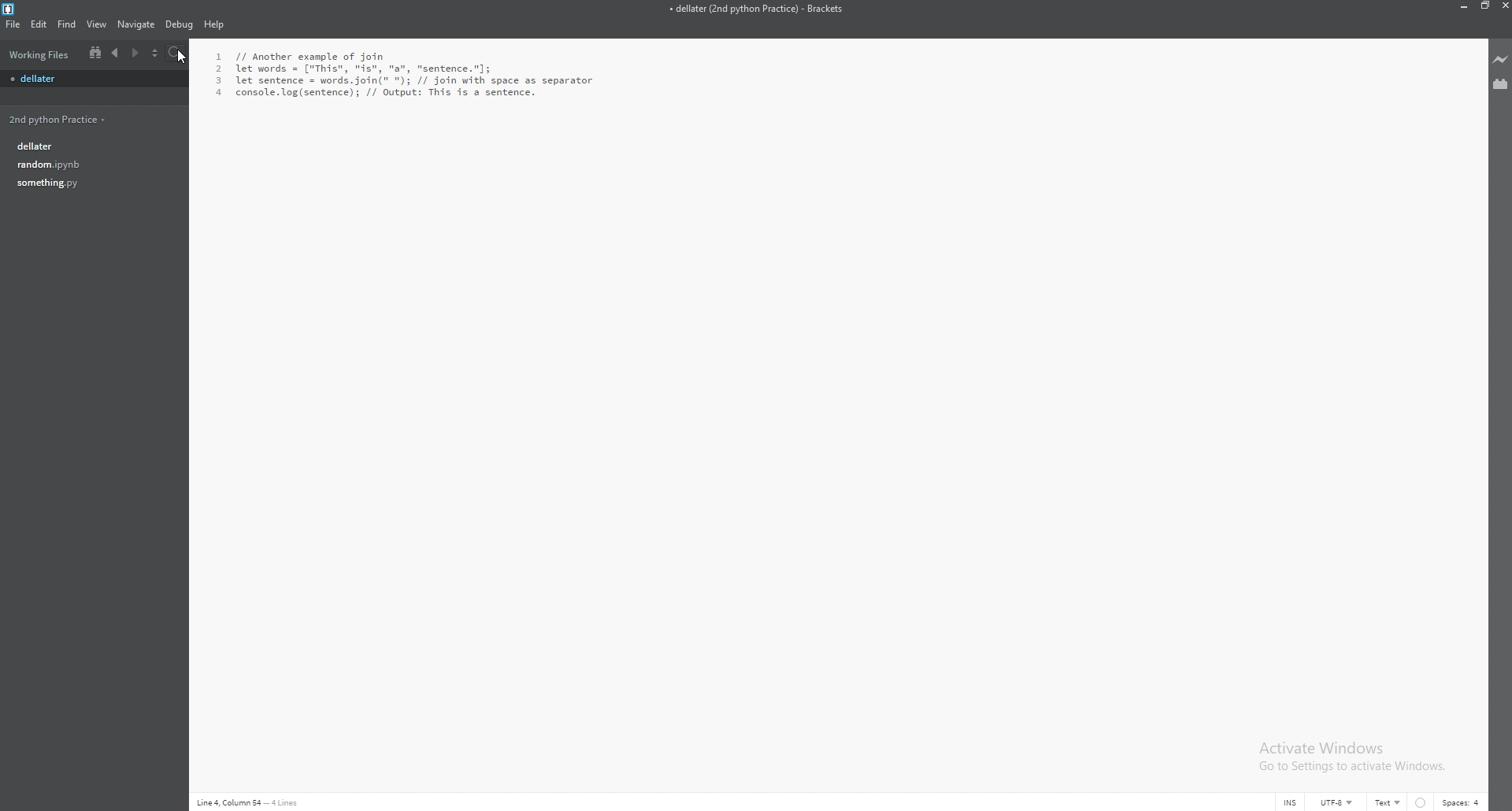 Image resolution: width=1512 pixels, height=811 pixels. What do you see at coordinates (138, 24) in the screenshot?
I see `navigate` at bounding box center [138, 24].